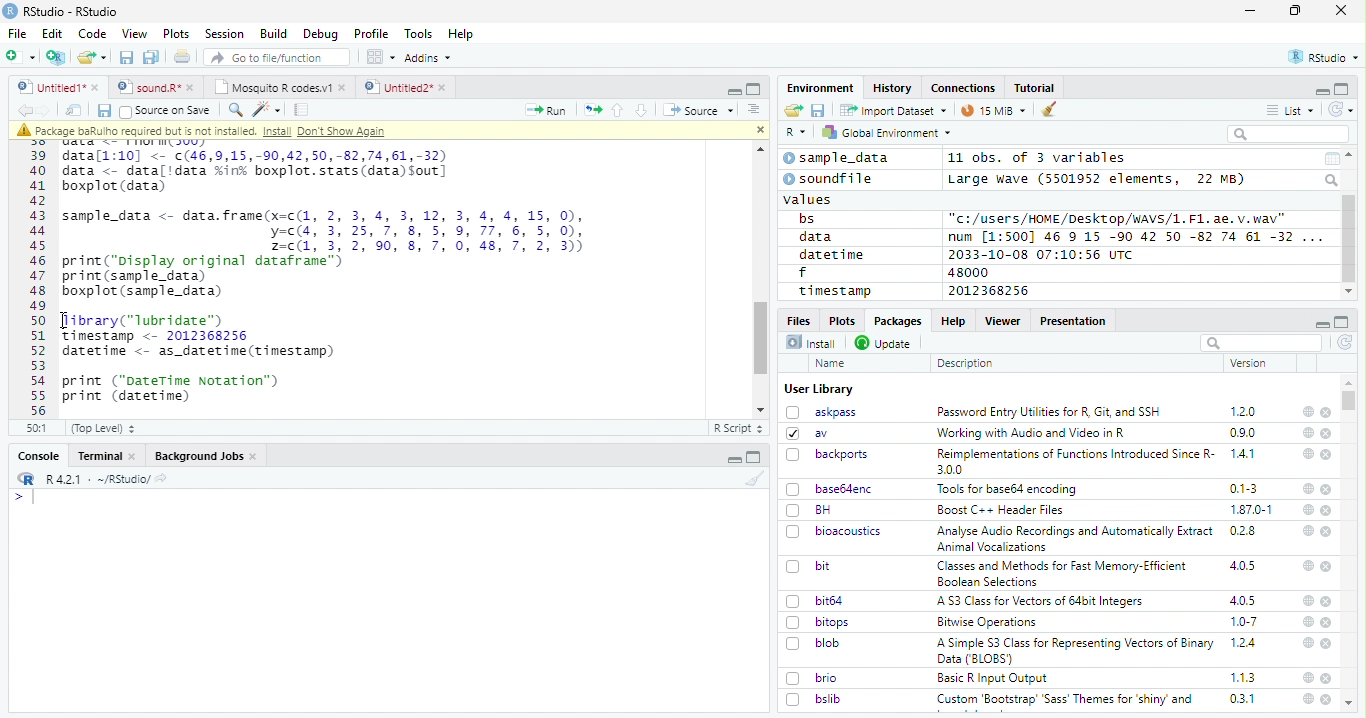 Image resolution: width=1366 pixels, height=718 pixels. What do you see at coordinates (754, 457) in the screenshot?
I see `Full screen` at bounding box center [754, 457].